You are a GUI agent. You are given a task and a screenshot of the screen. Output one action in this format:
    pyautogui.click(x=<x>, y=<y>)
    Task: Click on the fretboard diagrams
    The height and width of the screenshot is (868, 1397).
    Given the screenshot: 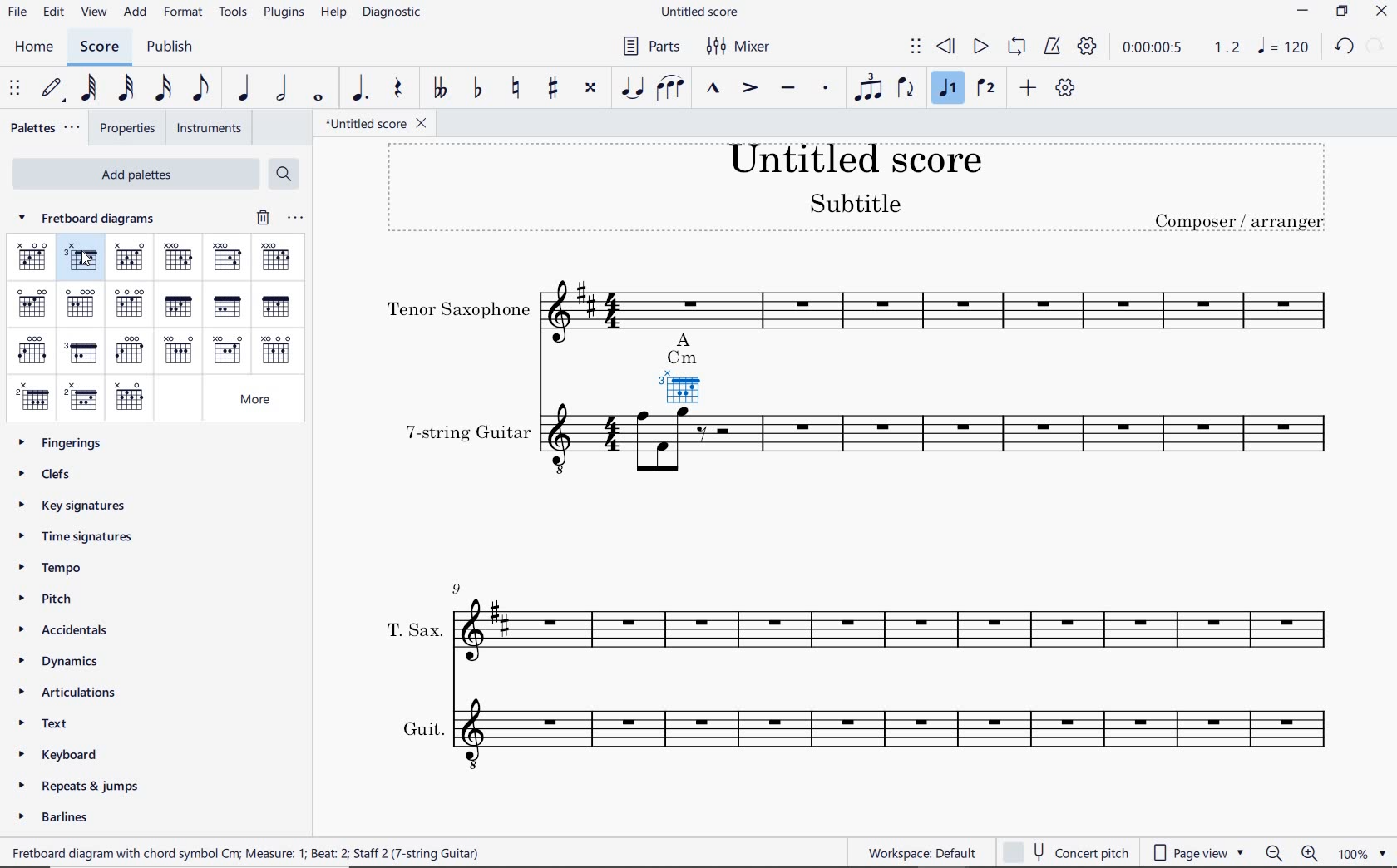 What is the action you would take?
    pyautogui.click(x=101, y=219)
    